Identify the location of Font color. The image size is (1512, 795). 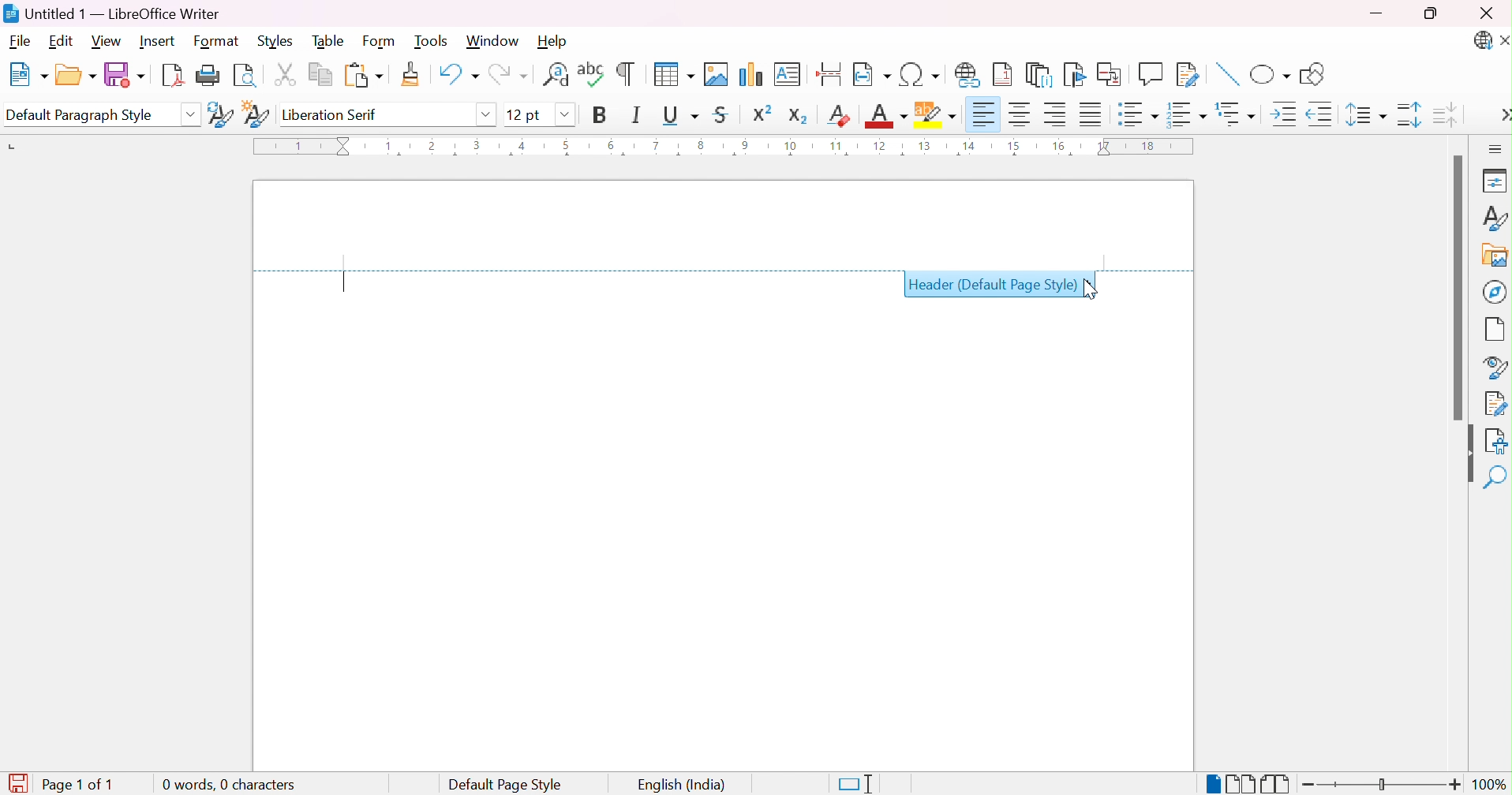
(886, 118).